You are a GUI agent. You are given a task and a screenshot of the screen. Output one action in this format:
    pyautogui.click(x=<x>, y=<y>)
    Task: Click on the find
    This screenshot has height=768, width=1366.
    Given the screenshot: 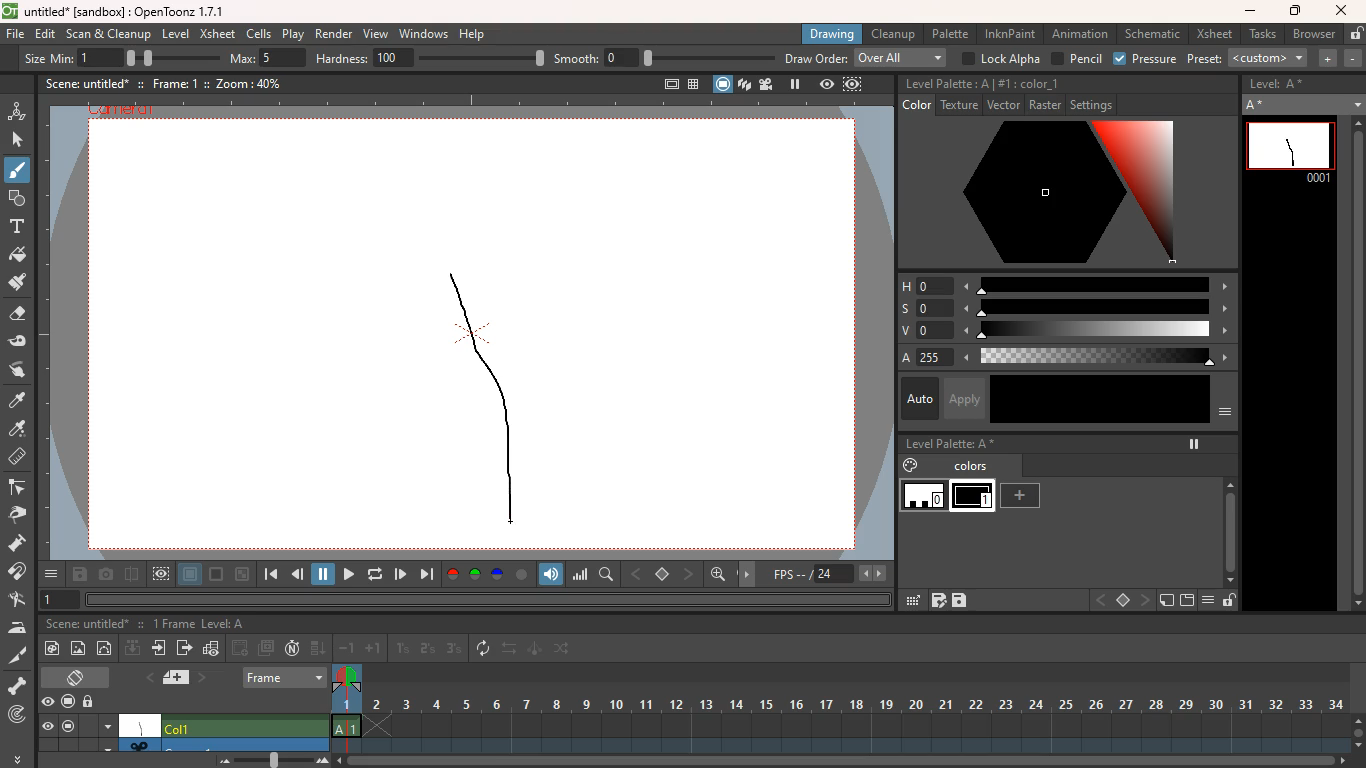 What is the action you would take?
    pyautogui.click(x=608, y=575)
    